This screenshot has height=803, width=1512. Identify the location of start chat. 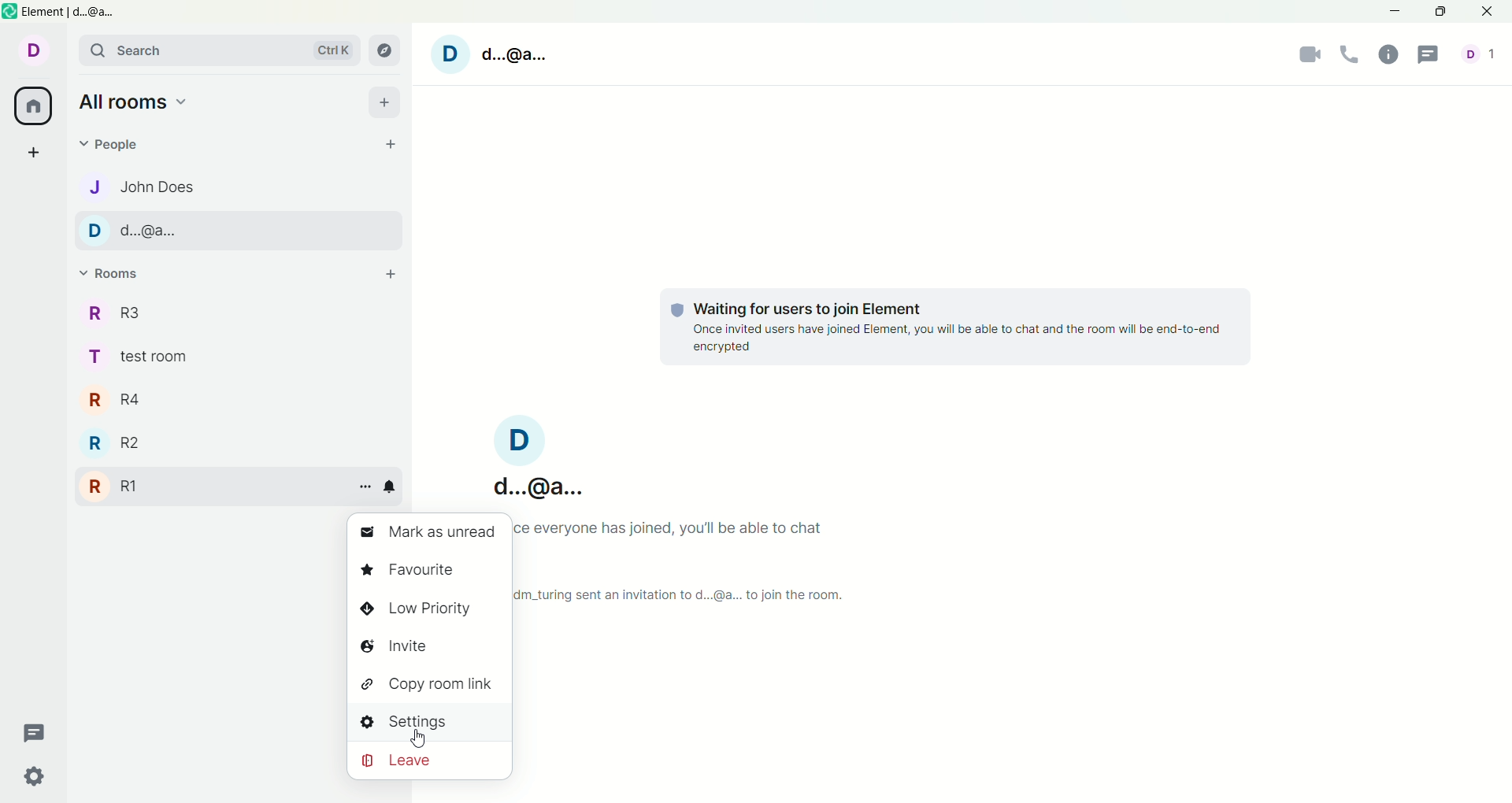
(387, 142).